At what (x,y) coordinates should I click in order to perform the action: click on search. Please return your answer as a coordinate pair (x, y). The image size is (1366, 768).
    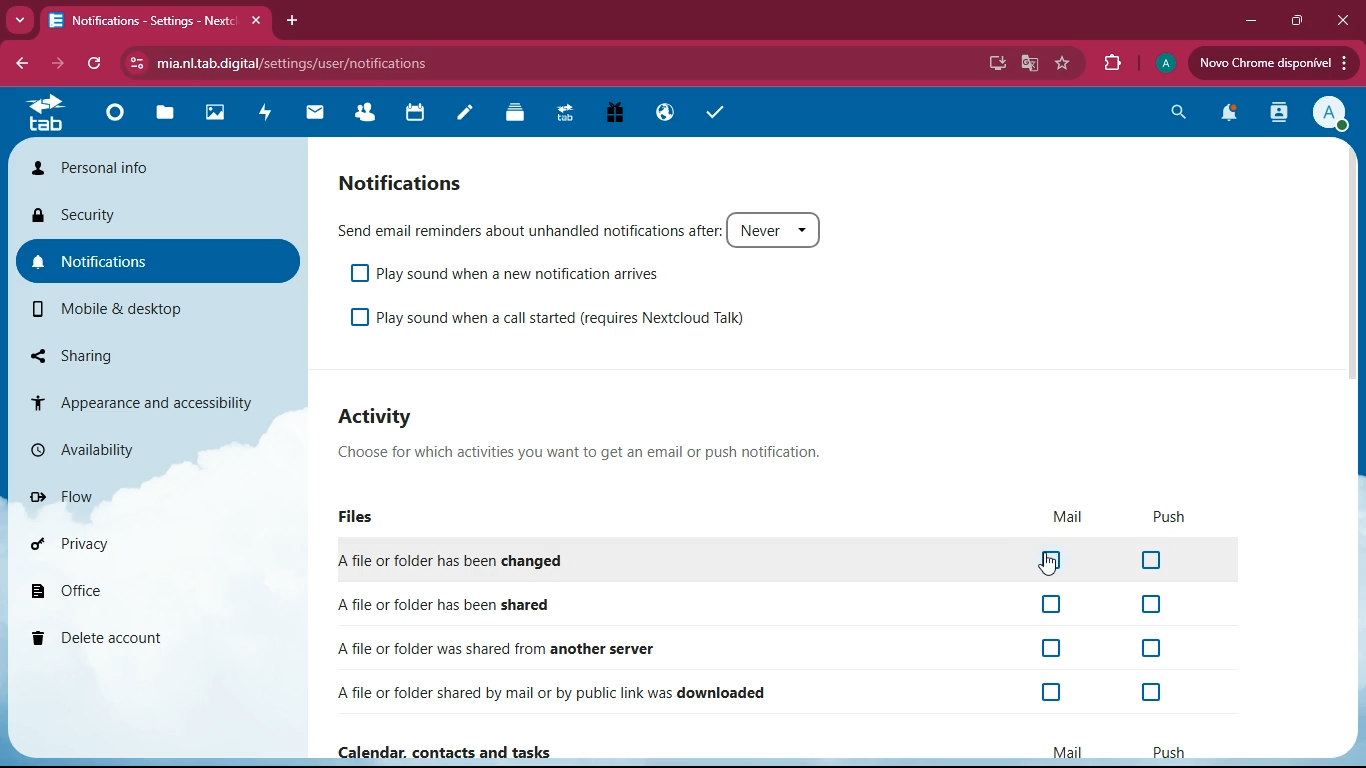
    Looking at the image, I should click on (1176, 115).